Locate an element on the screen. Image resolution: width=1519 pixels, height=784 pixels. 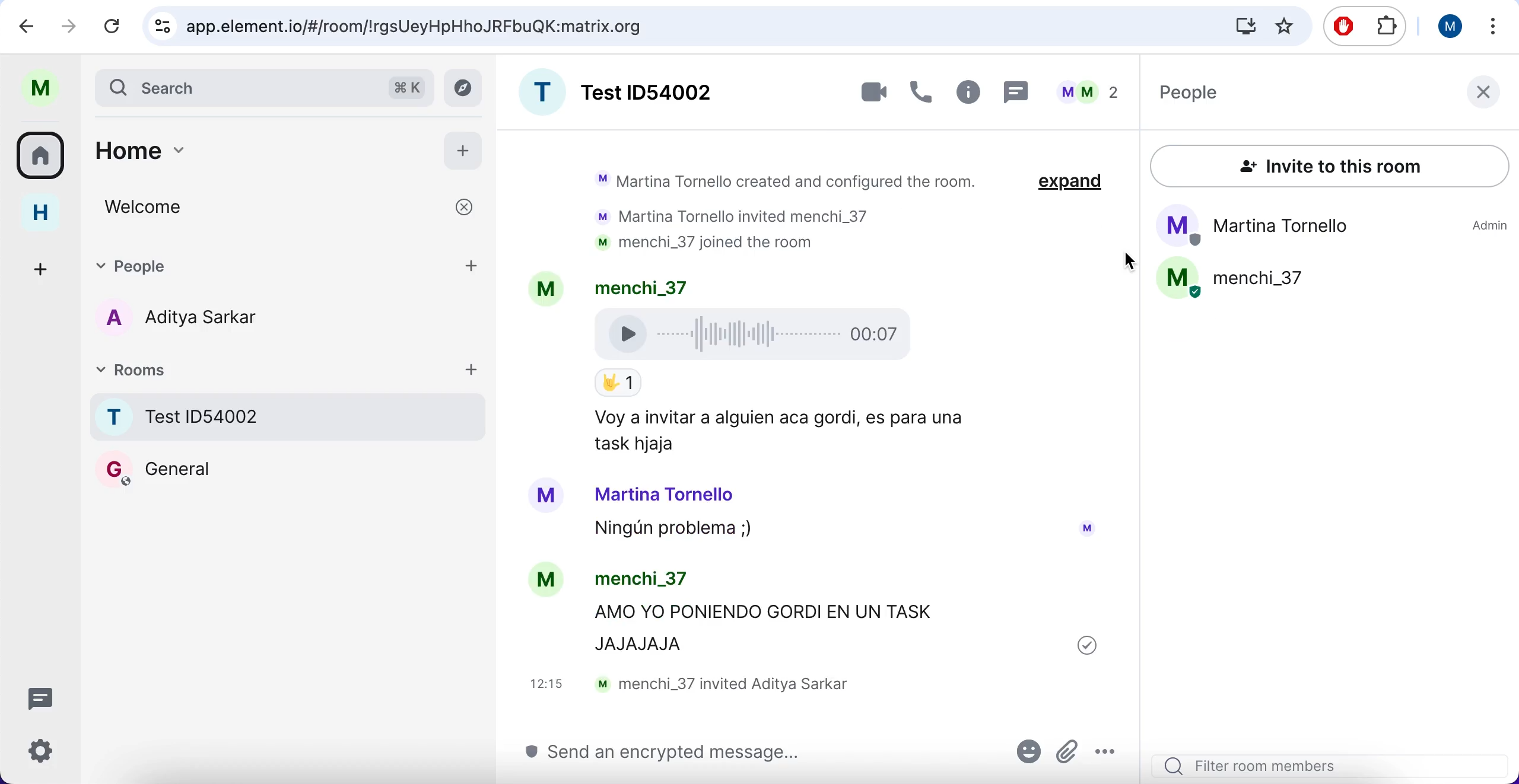
attachments is located at coordinates (1070, 747).